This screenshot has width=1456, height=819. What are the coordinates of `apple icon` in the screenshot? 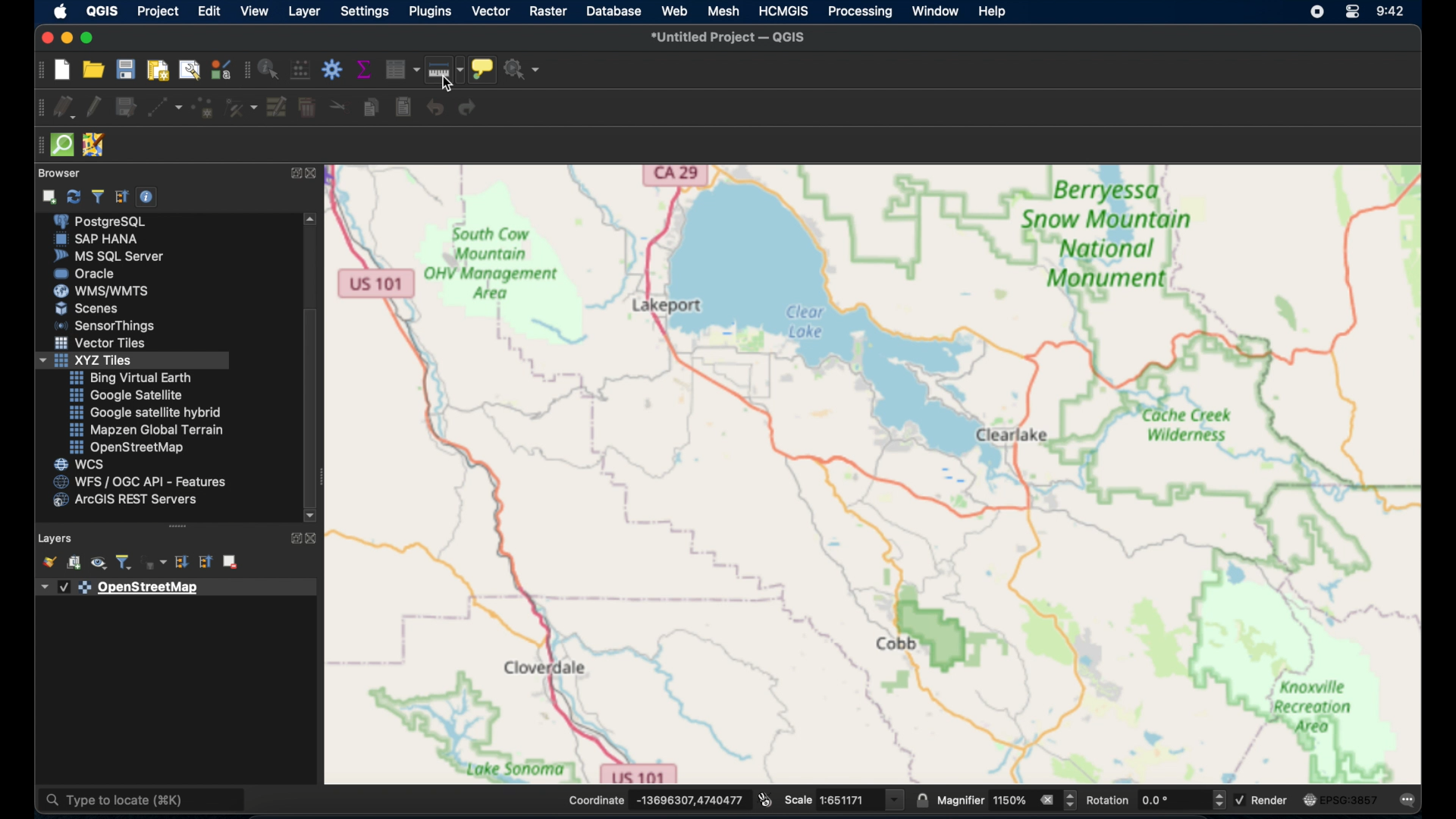 It's located at (61, 11).